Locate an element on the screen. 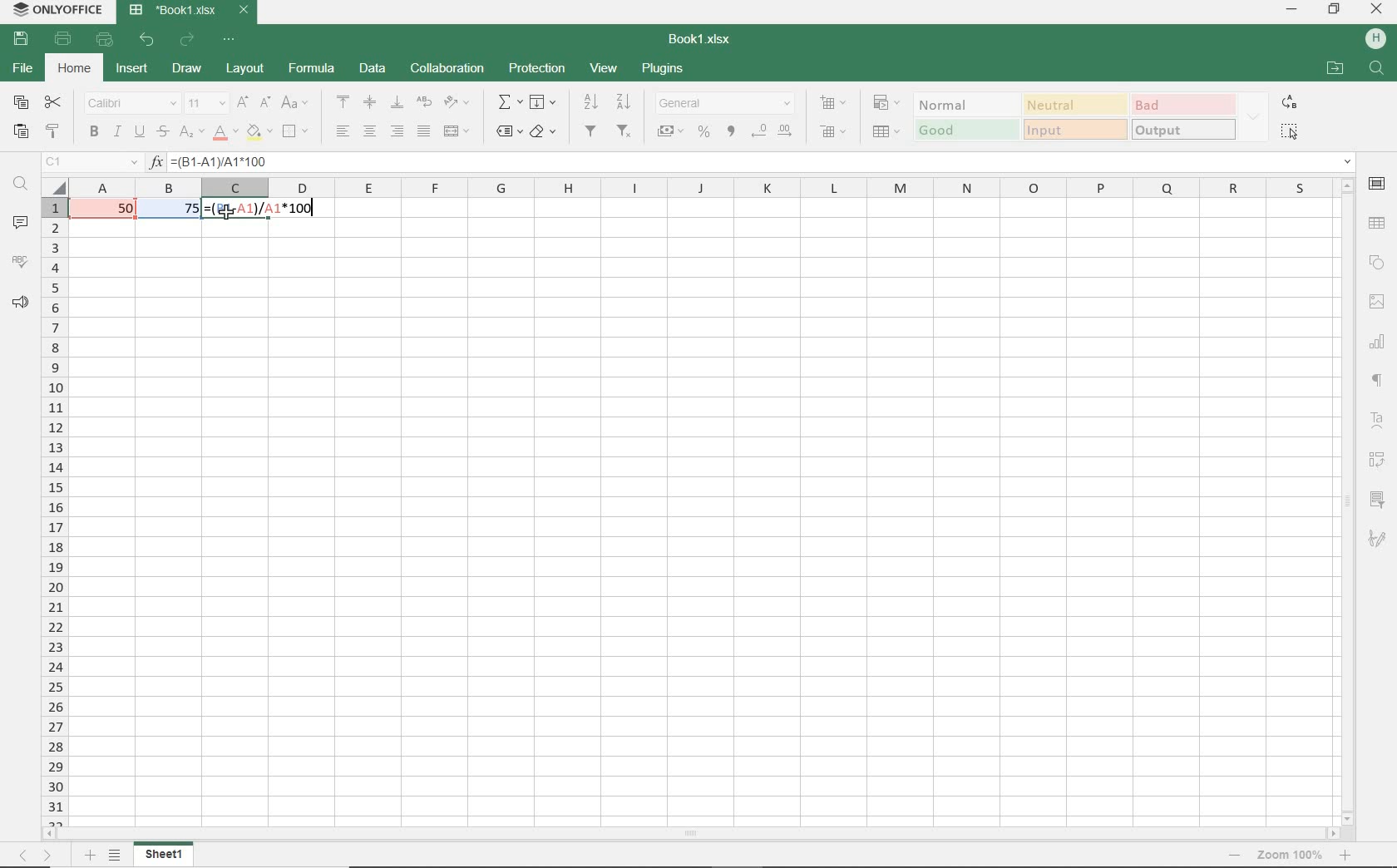 This screenshot has width=1397, height=868. paste is located at coordinates (20, 131).